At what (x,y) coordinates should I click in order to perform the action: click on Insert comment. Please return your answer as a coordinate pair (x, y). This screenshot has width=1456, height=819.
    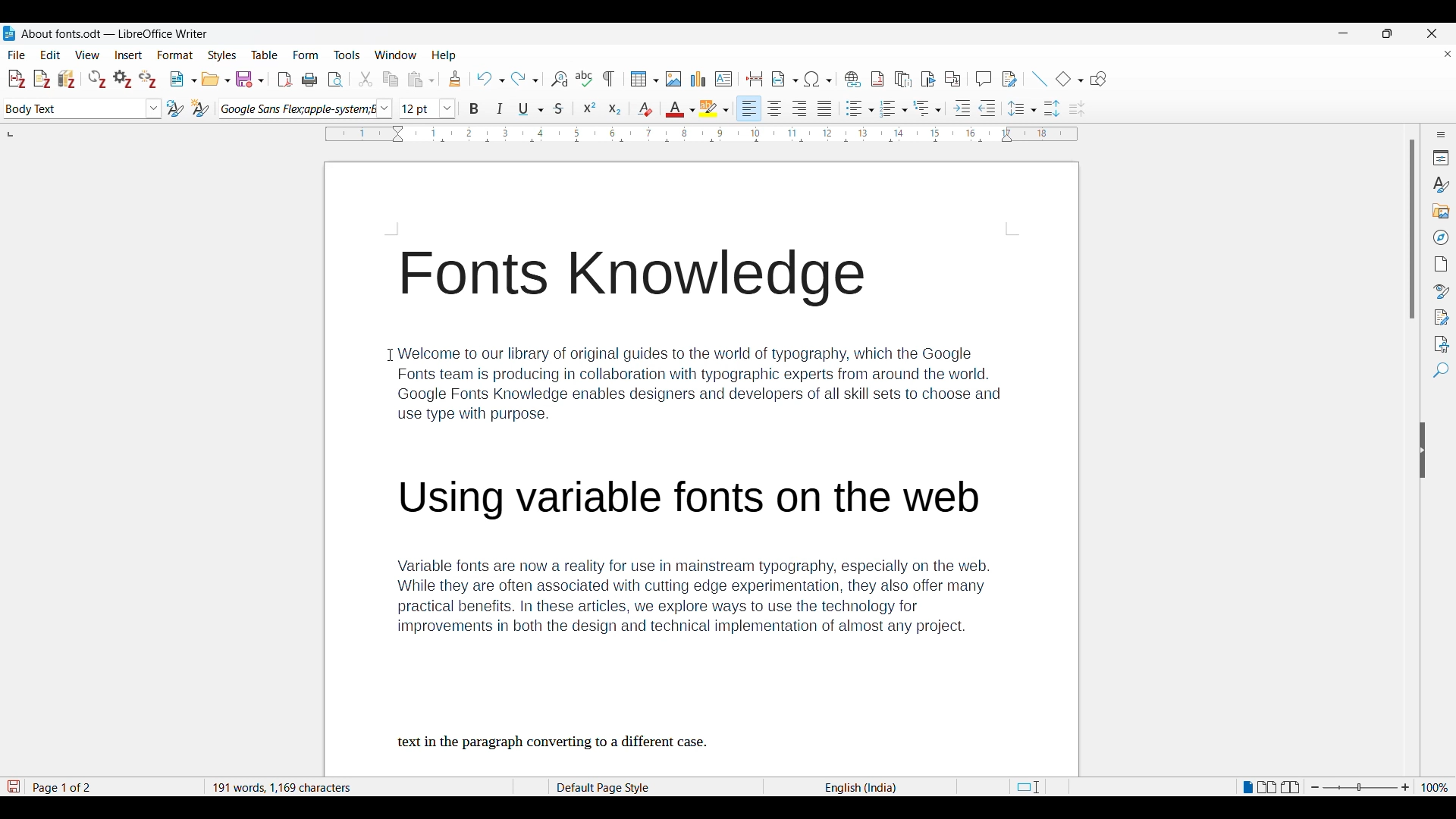
    Looking at the image, I should click on (984, 79).